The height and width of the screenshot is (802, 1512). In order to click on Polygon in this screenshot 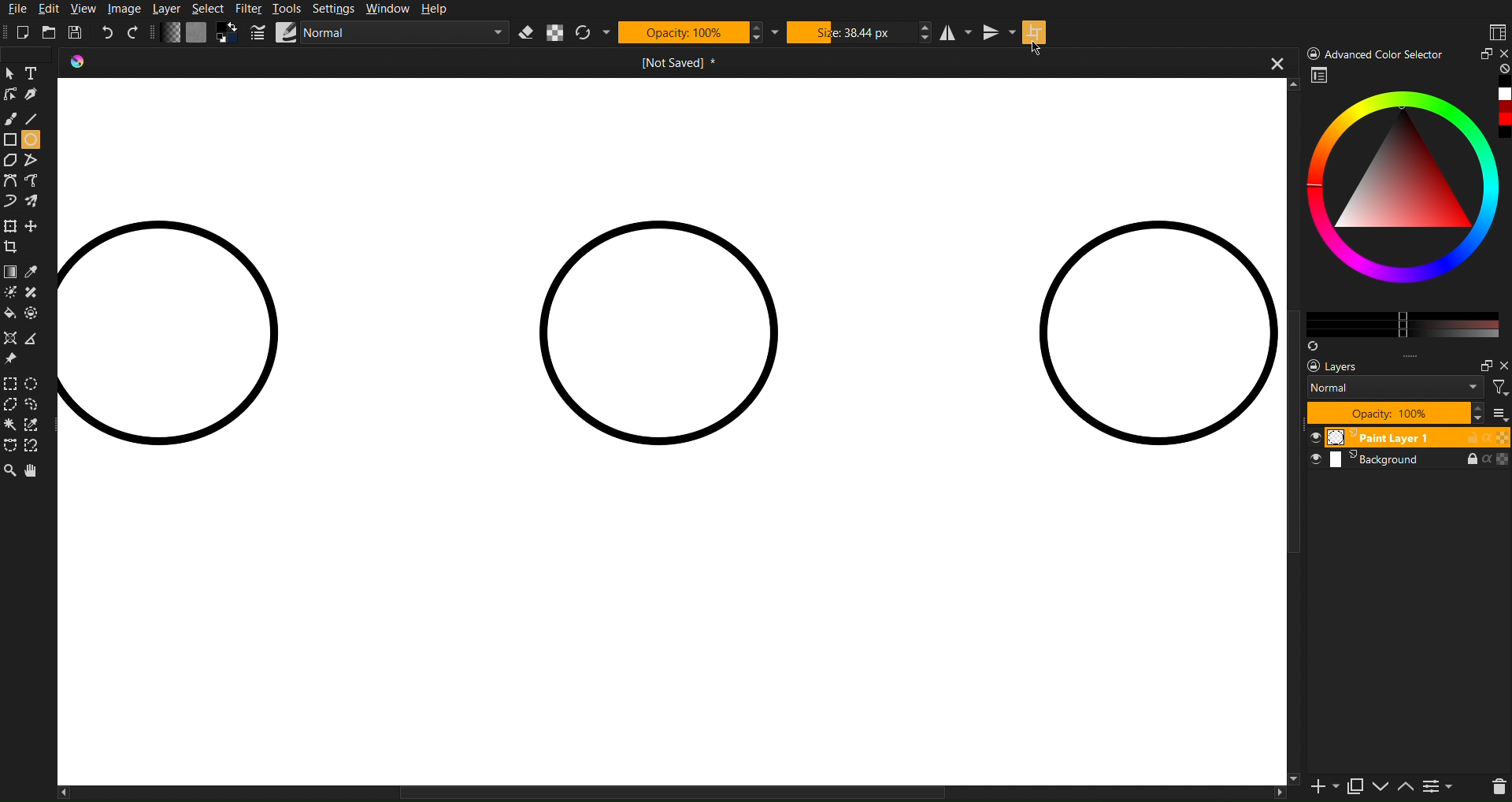, I will do `click(9, 161)`.